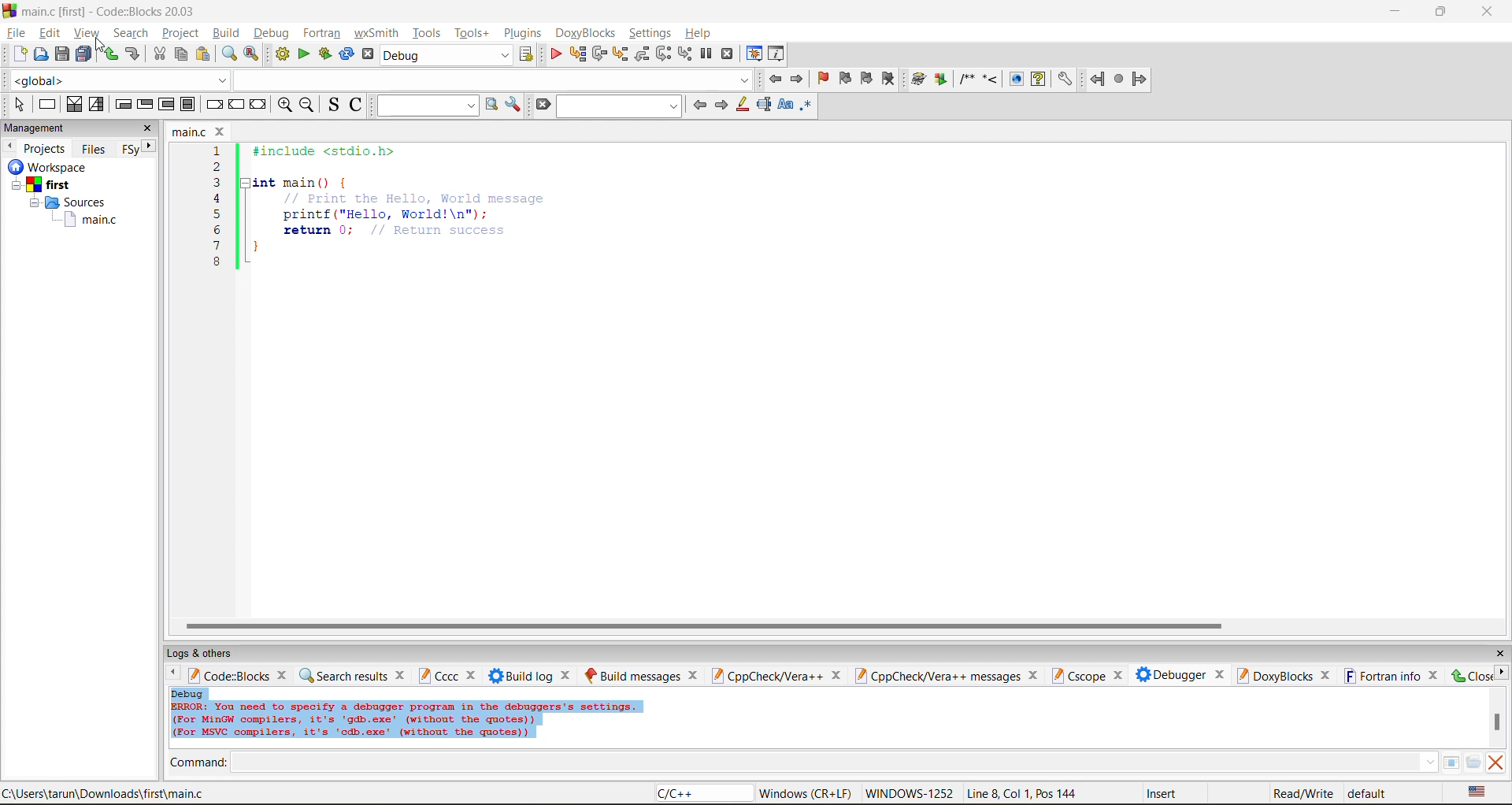  Describe the element at coordinates (1173, 674) in the screenshot. I see `debugger` at that location.